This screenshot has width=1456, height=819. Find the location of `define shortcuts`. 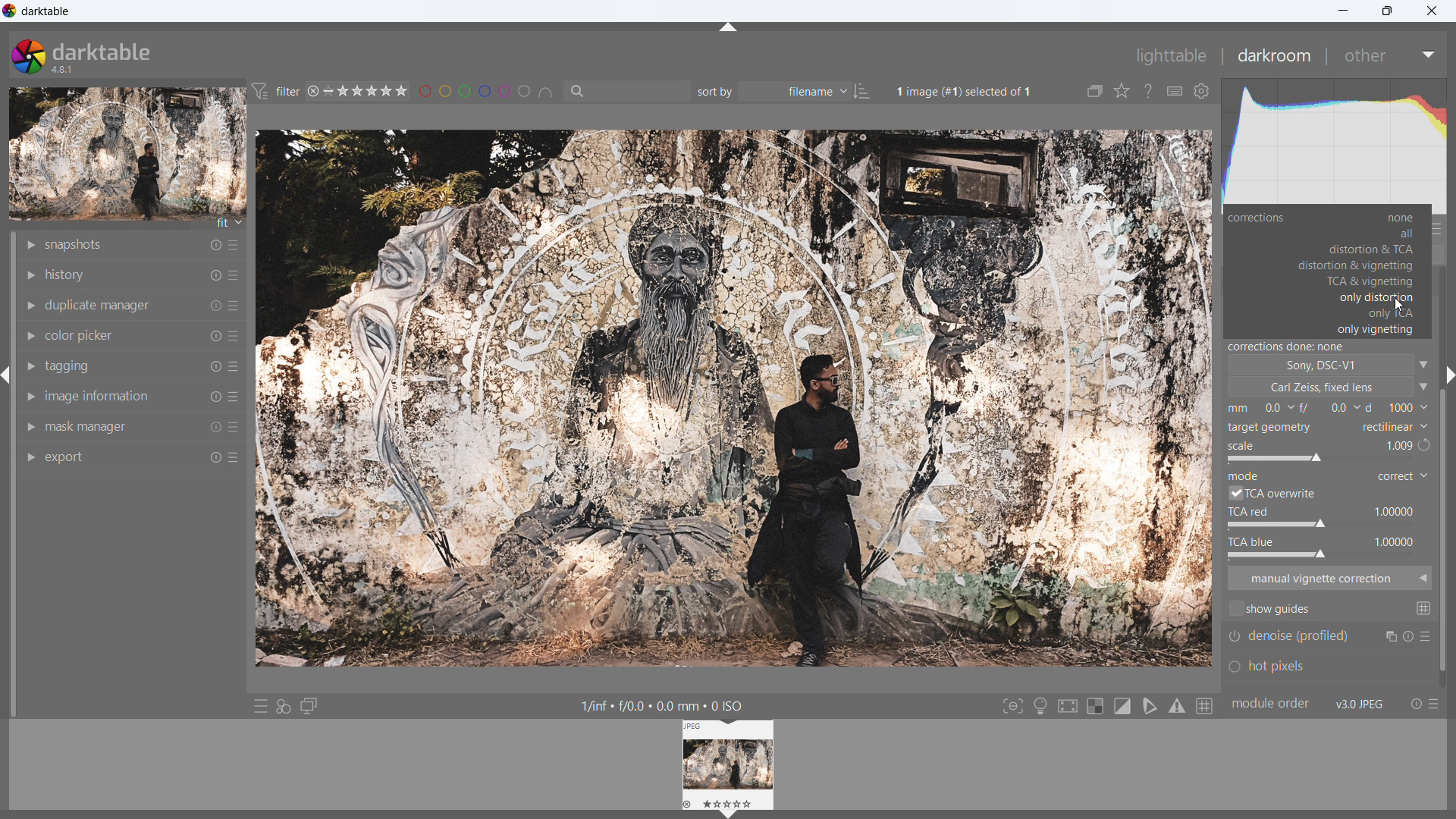

define shortcuts is located at coordinates (1175, 91).